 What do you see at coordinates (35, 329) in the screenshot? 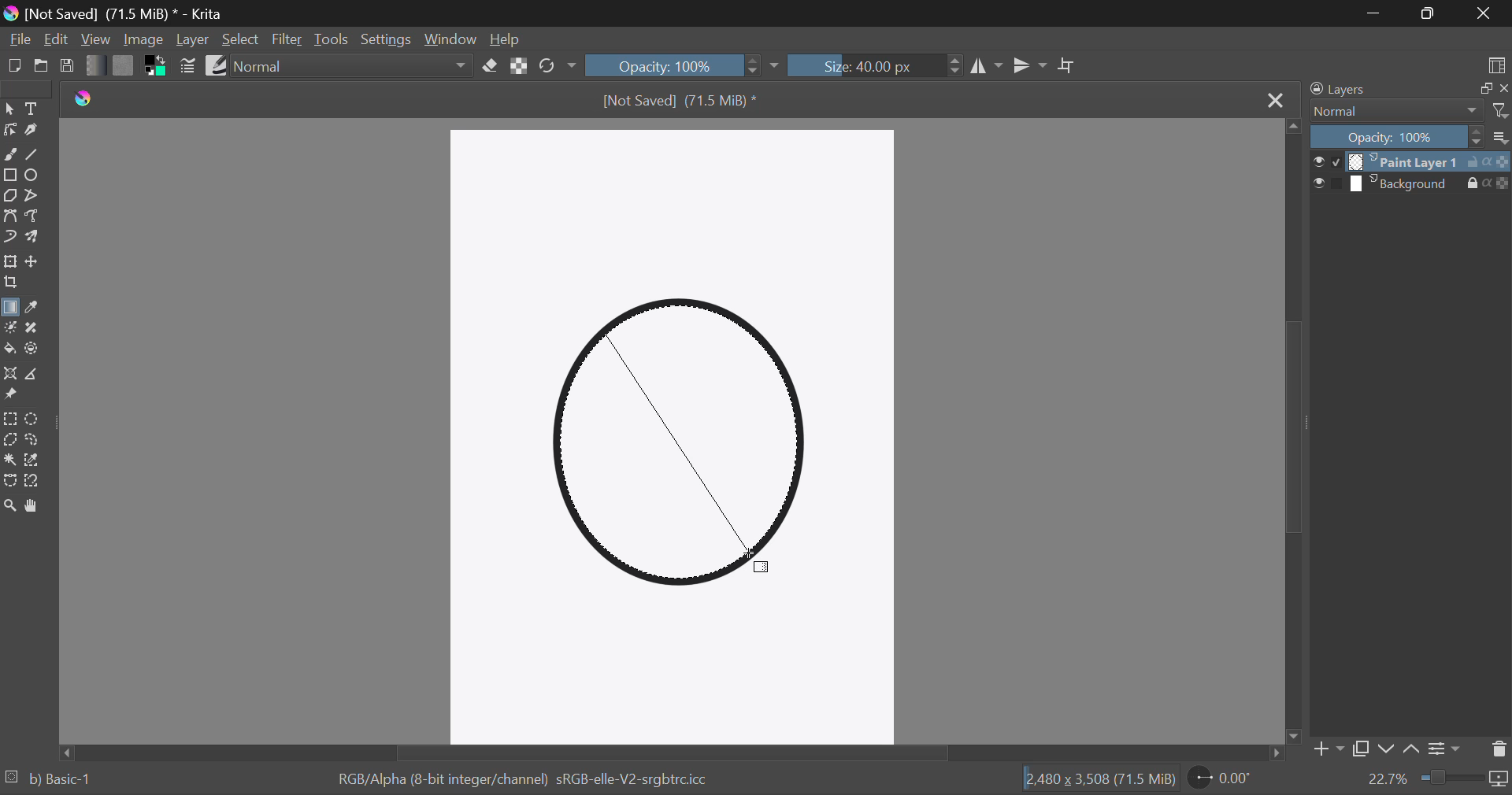
I see `Smart Patch Tool` at bounding box center [35, 329].